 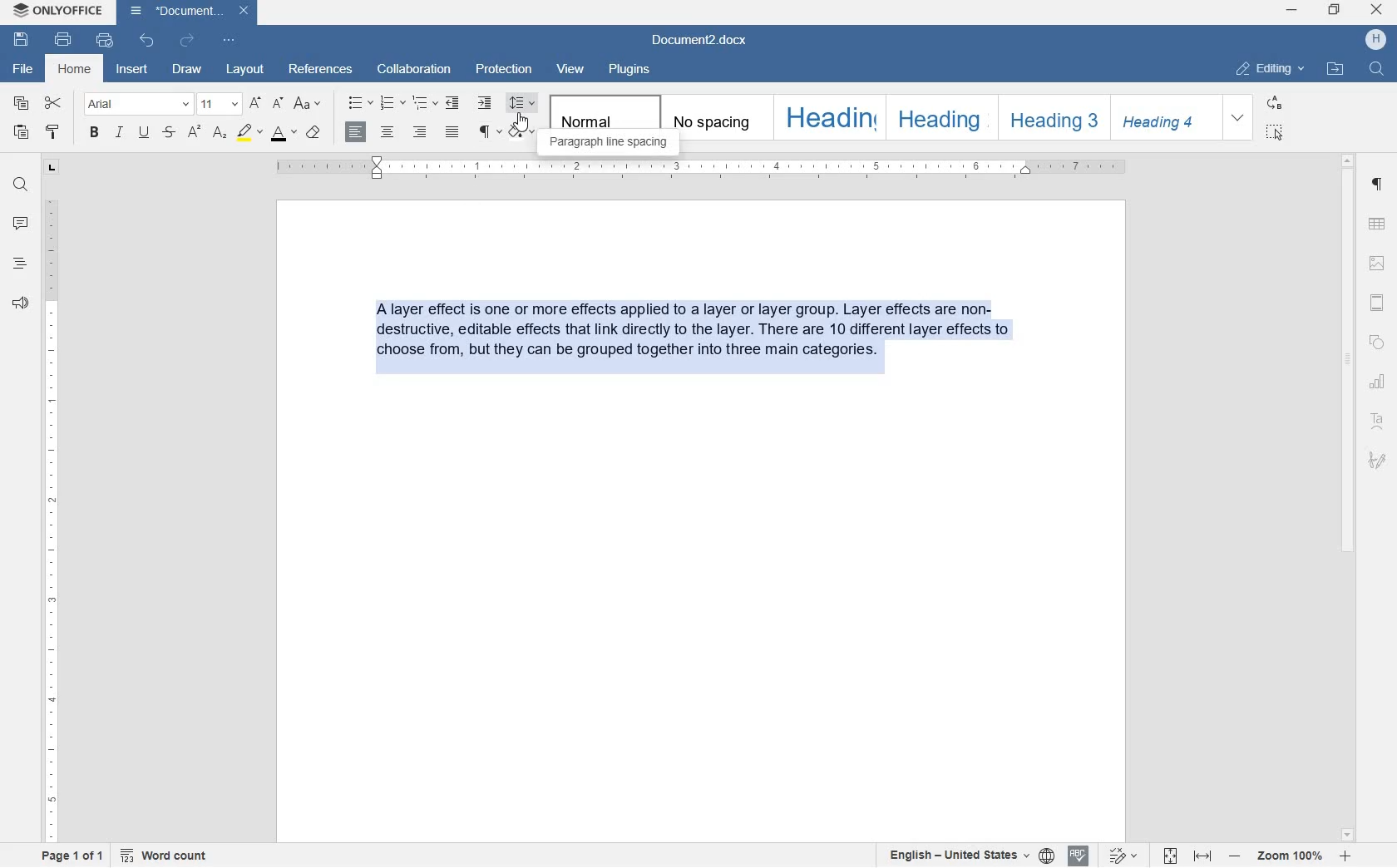 I want to click on text art, so click(x=1378, y=421).